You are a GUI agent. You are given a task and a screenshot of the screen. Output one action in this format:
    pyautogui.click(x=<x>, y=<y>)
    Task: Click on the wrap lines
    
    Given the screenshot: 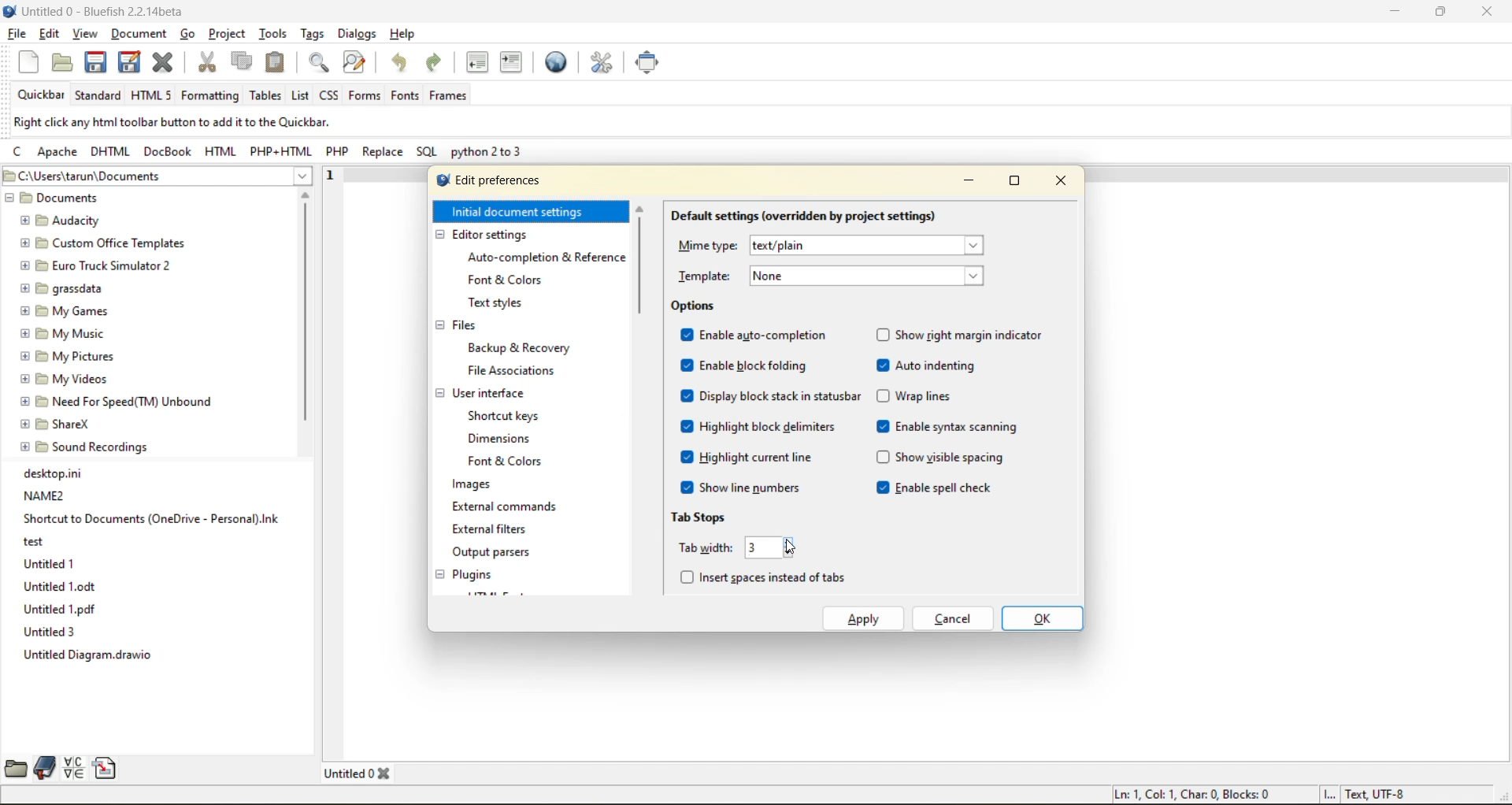 What is the action you would take?
    pyautogui.click(x=917, y=395)
    